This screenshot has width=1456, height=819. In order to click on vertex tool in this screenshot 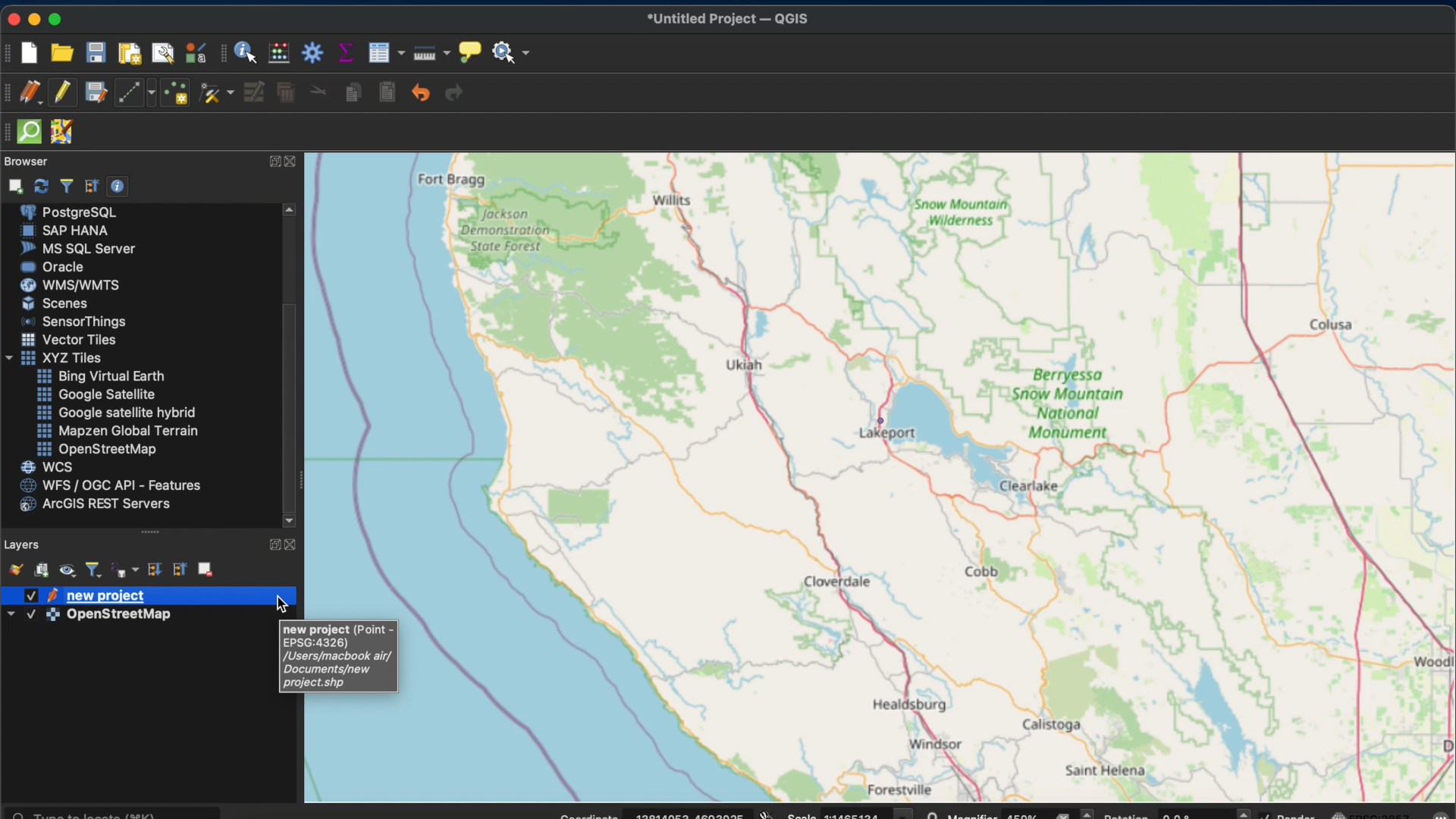, I will do `click(215, 95)`.